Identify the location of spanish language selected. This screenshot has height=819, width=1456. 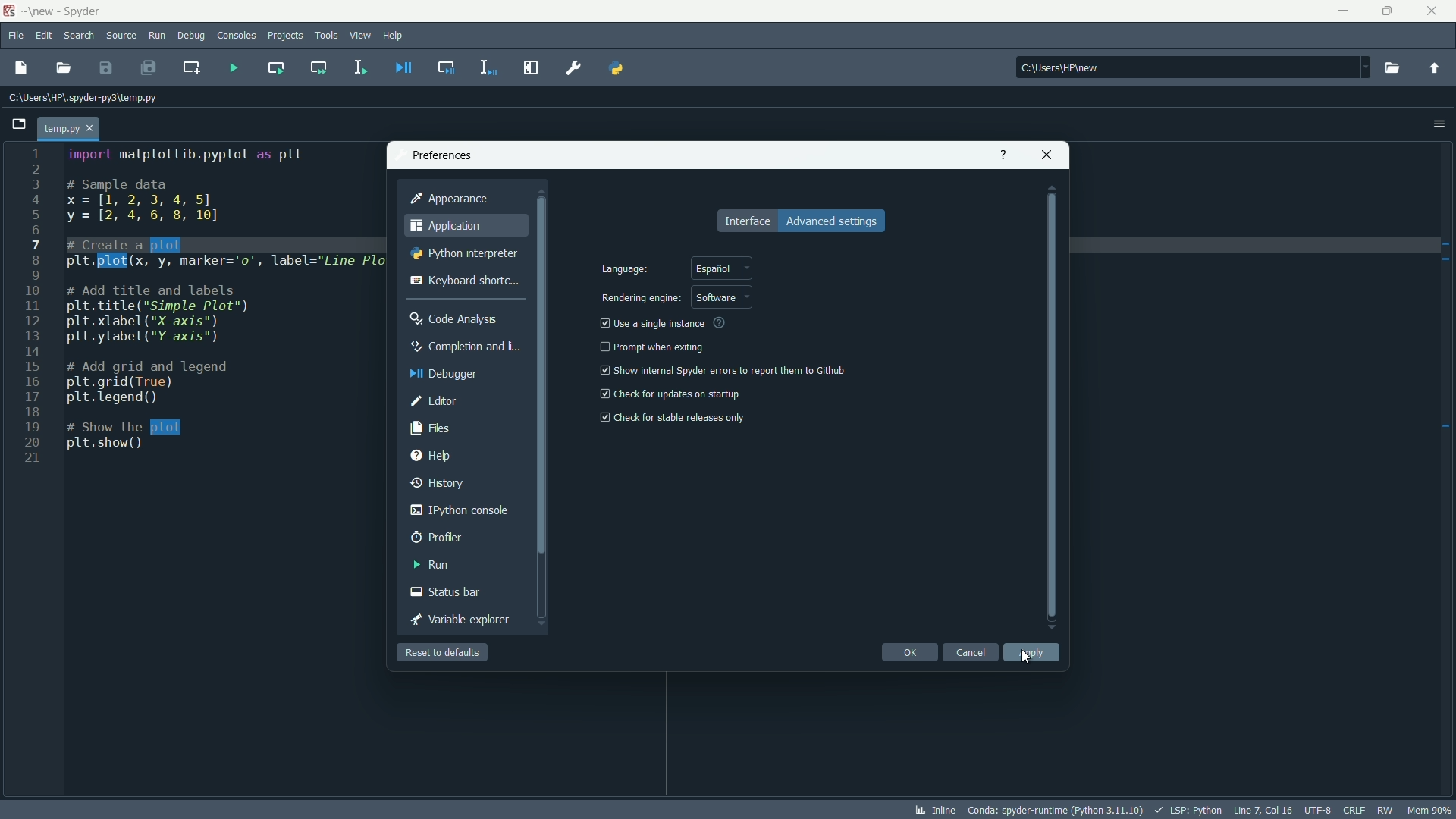
(722, 268).